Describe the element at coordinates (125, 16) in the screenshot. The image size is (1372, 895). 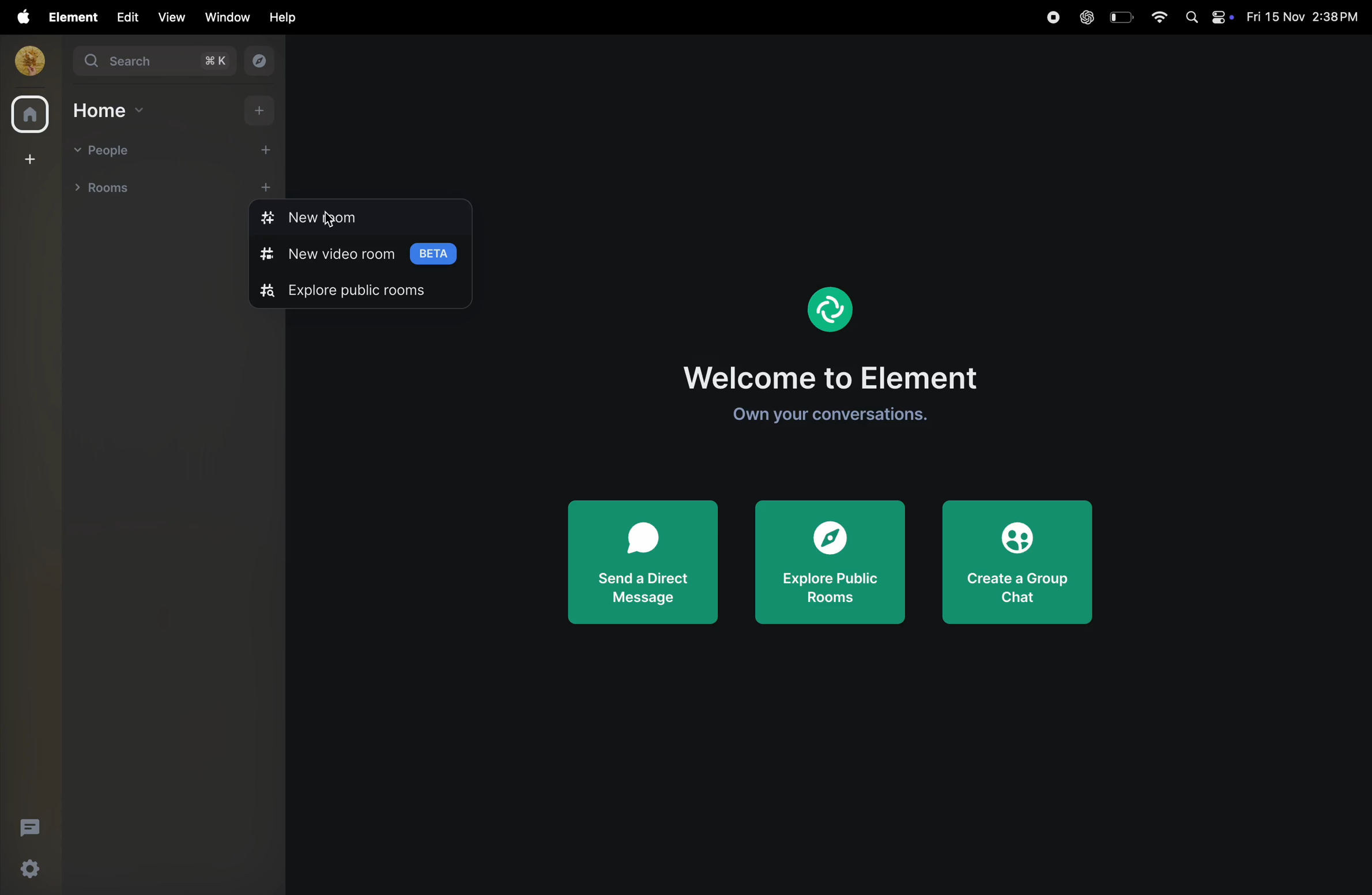
I see `edit` at that location.